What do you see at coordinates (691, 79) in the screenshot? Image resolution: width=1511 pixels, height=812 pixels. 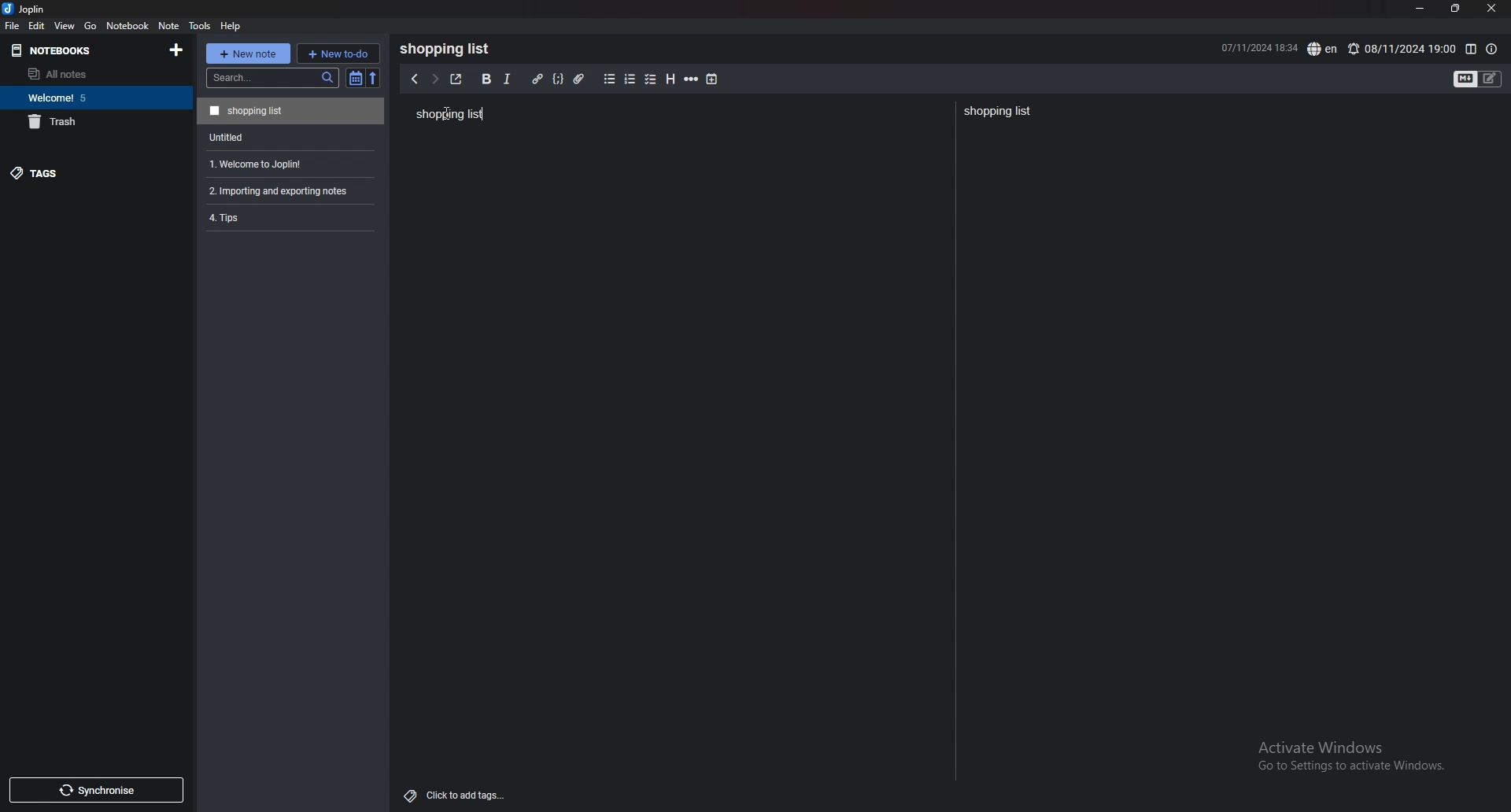 I see `horizontal rule` at bounding box center [691, 79].